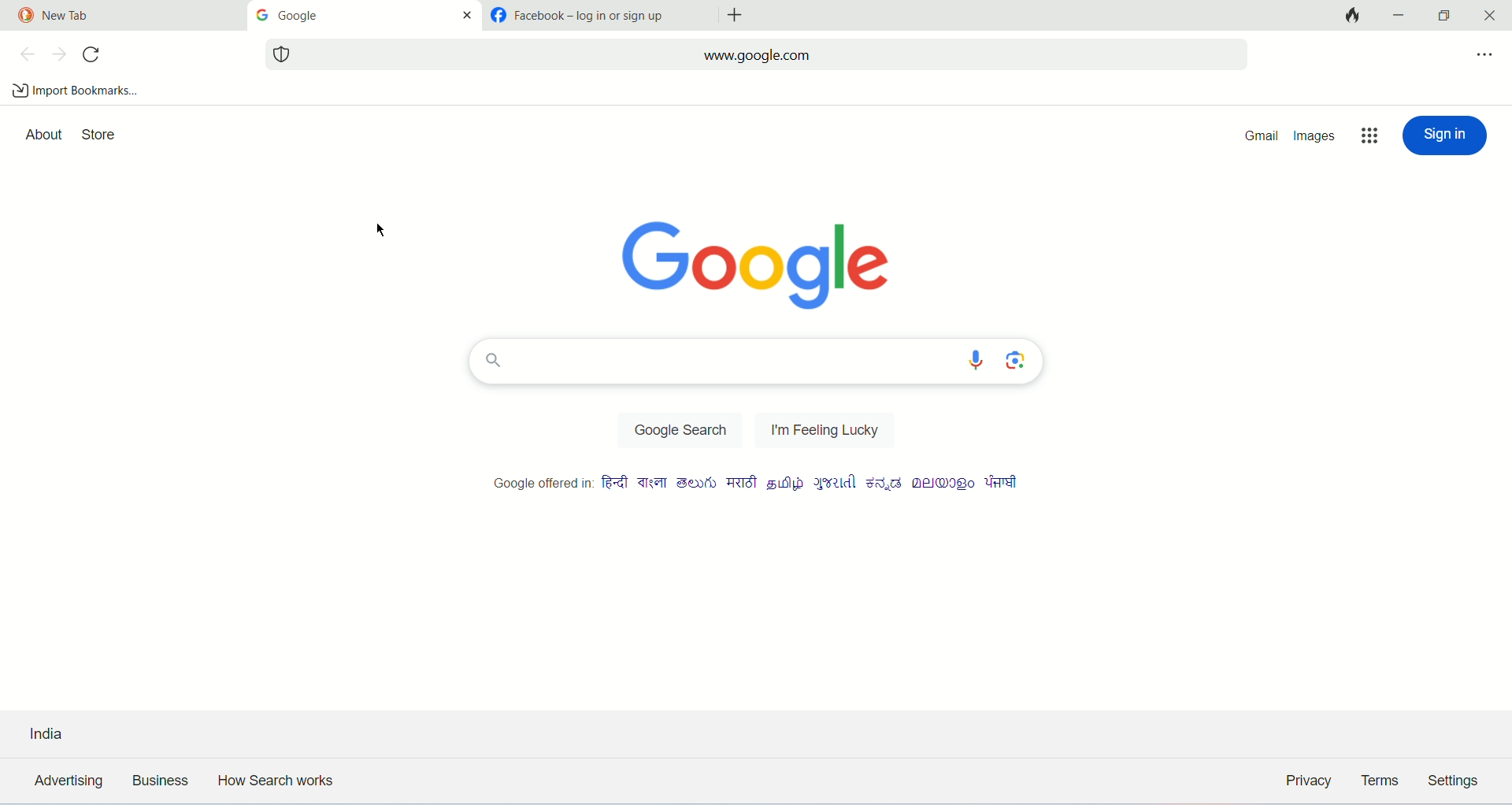 The image size is (1512, 805). I want to click on about, so click(41, 134).